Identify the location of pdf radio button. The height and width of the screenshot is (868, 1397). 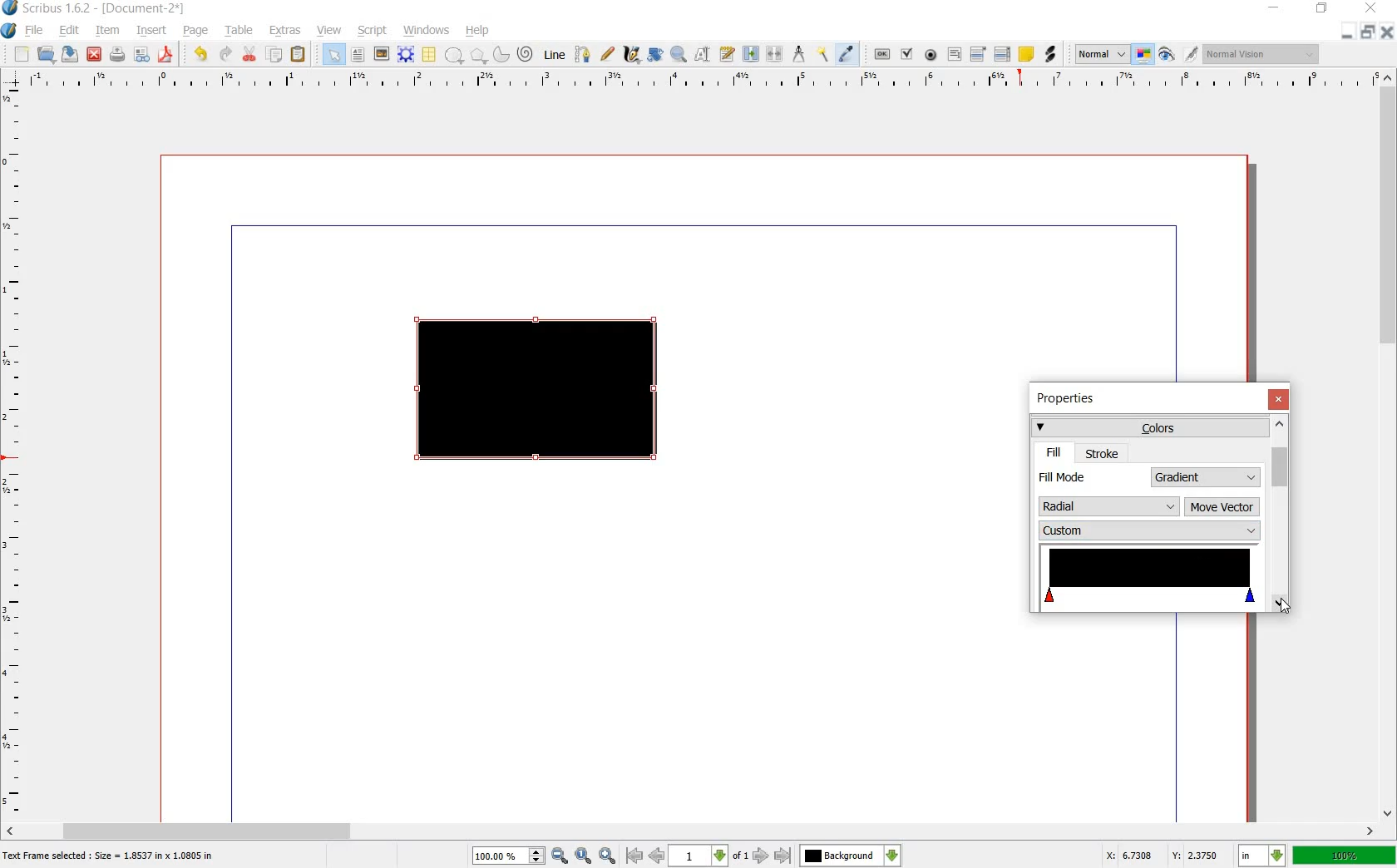
(931, 55).